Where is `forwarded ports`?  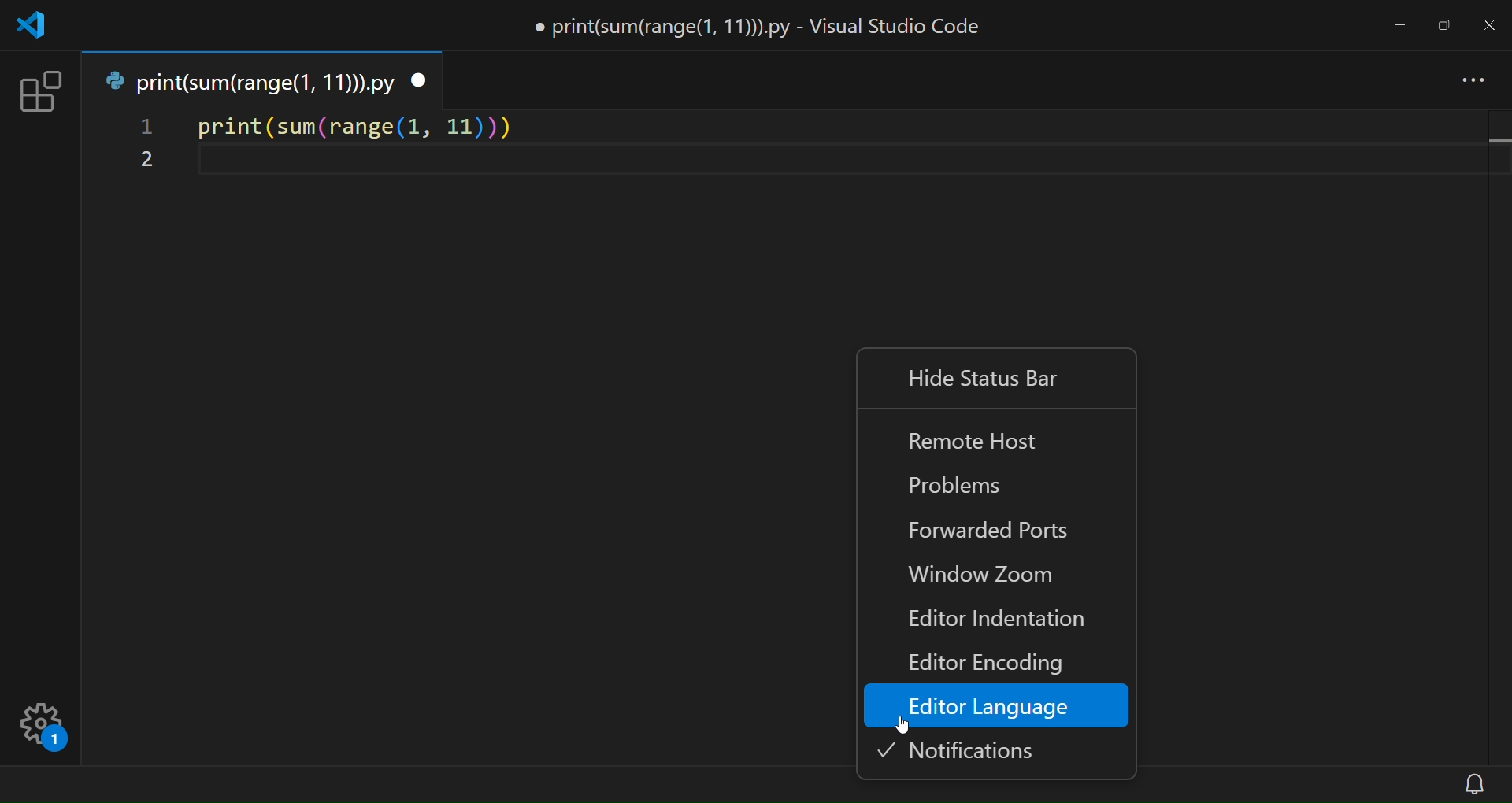
forwarded ports is located at coordinates (997, 532).